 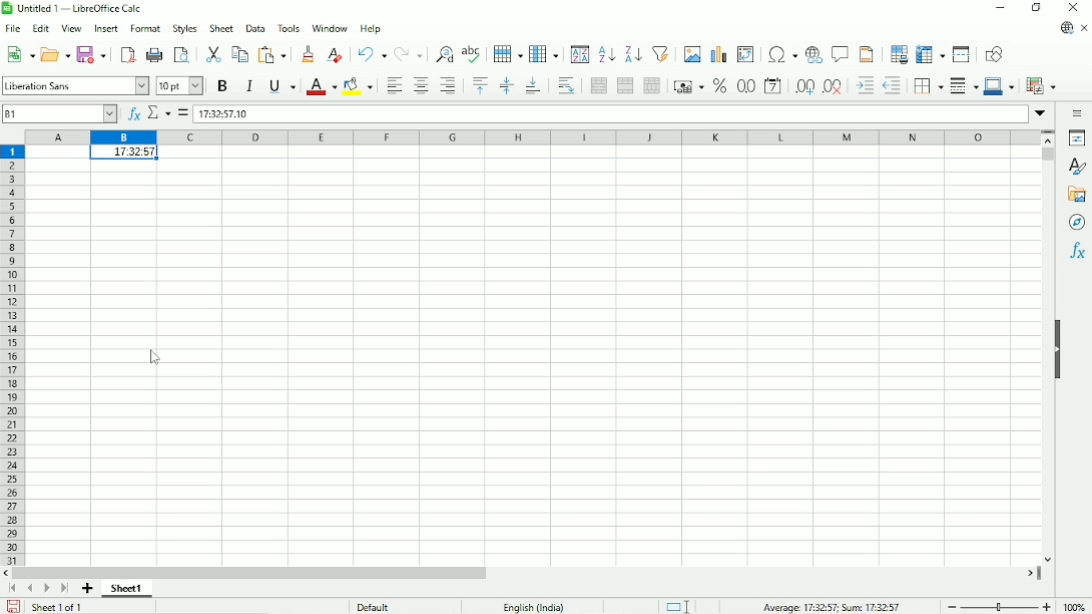 I want to click on Save, so click(x=91, y=53).